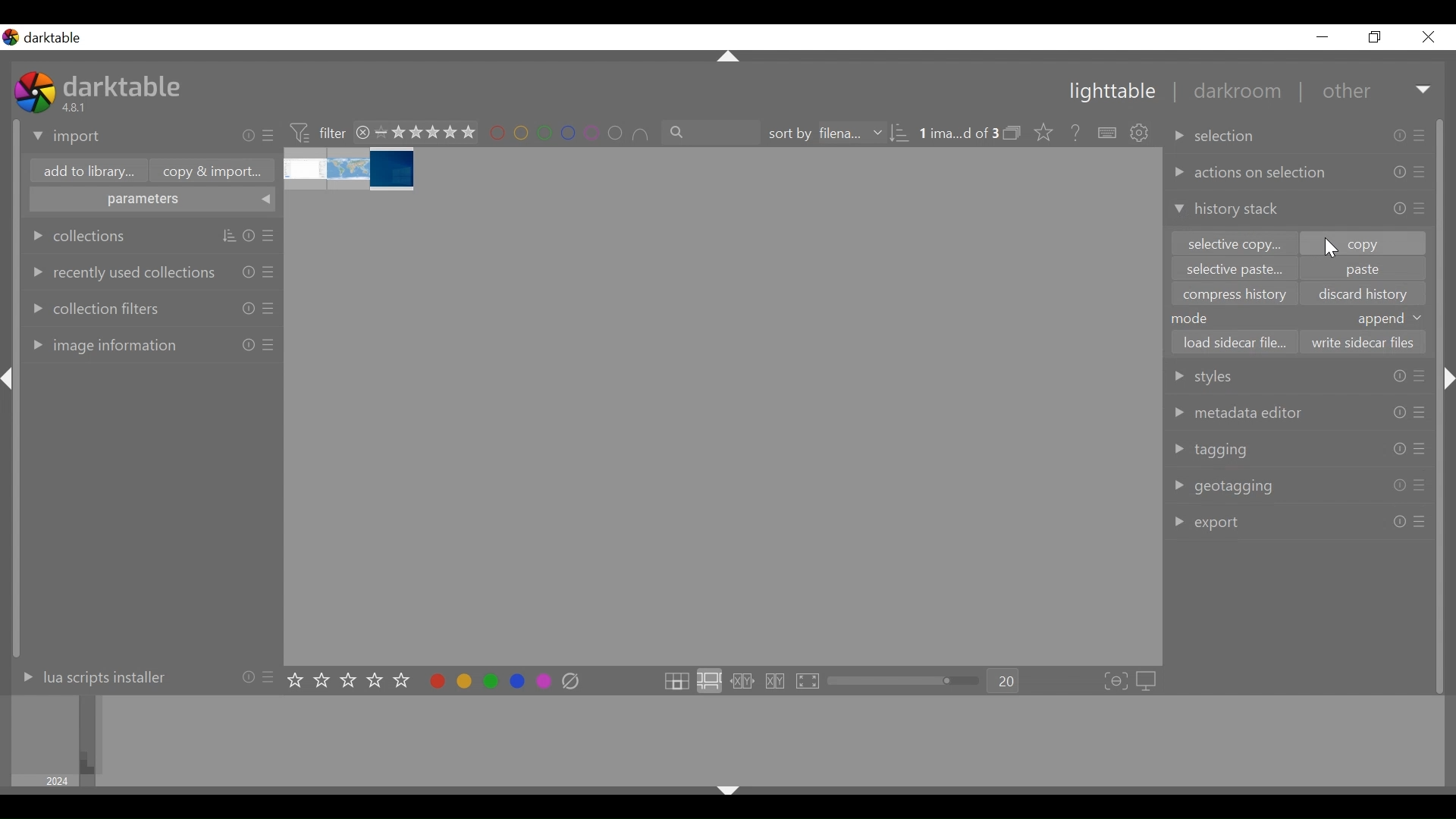 The width and height of the screenshot is (1456, 819). I want to click on set star rating, so click(353, 681).